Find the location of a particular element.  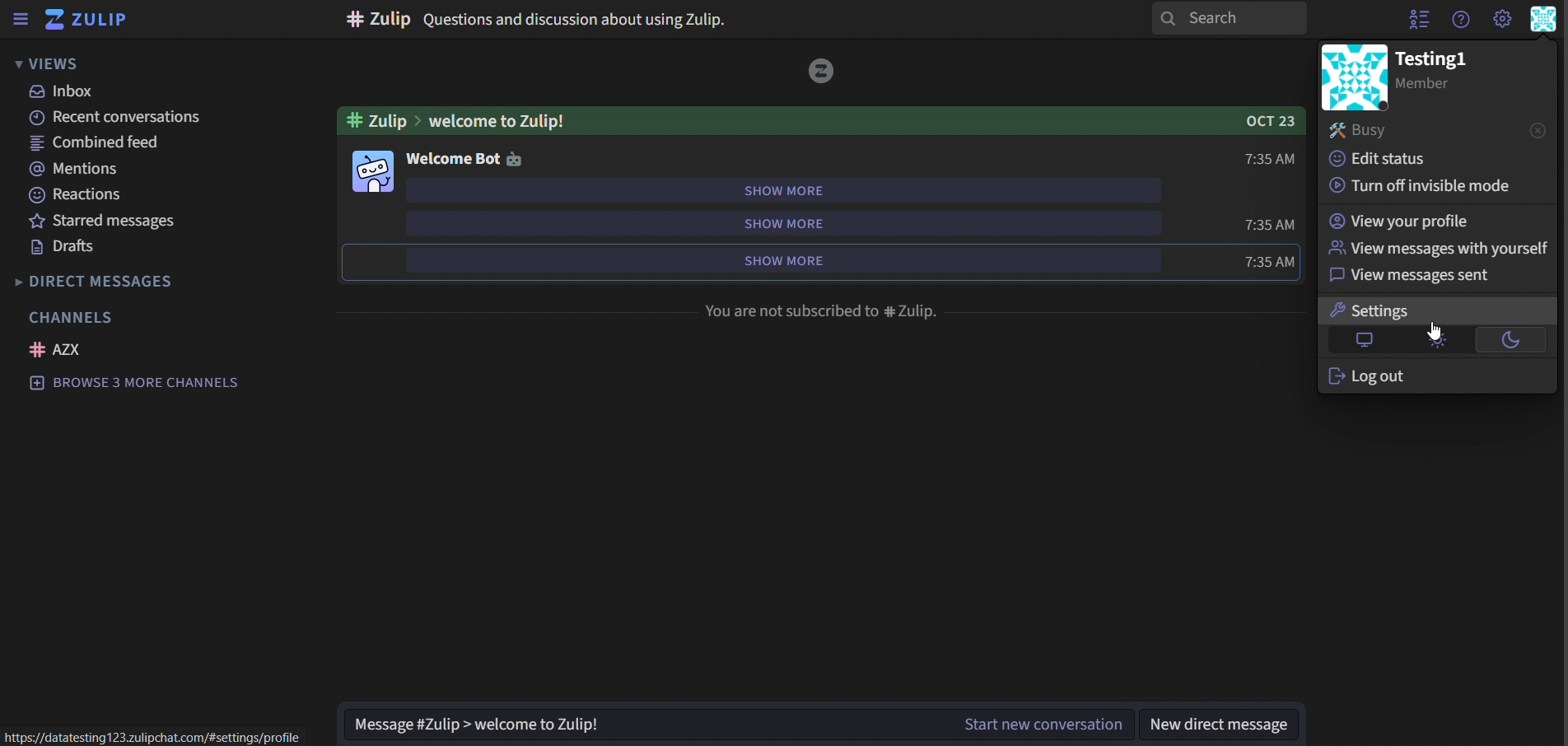

7:35AM is located at coordinates (1268, 225).